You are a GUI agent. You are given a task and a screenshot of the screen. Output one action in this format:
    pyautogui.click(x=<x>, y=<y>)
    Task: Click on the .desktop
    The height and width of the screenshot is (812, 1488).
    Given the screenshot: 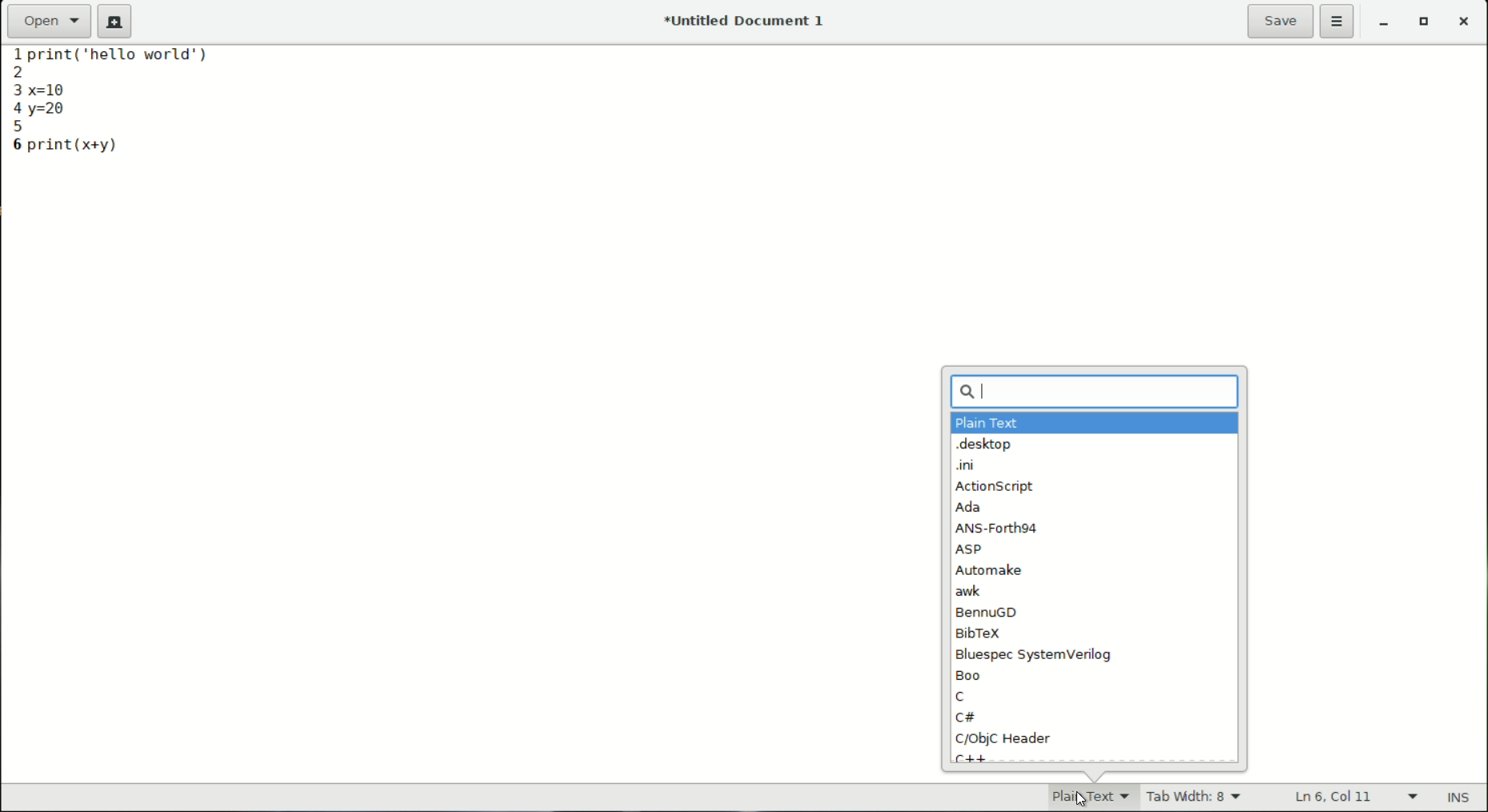 What is the action you would take?
    pyautogui.click(x=984, y=445)
    